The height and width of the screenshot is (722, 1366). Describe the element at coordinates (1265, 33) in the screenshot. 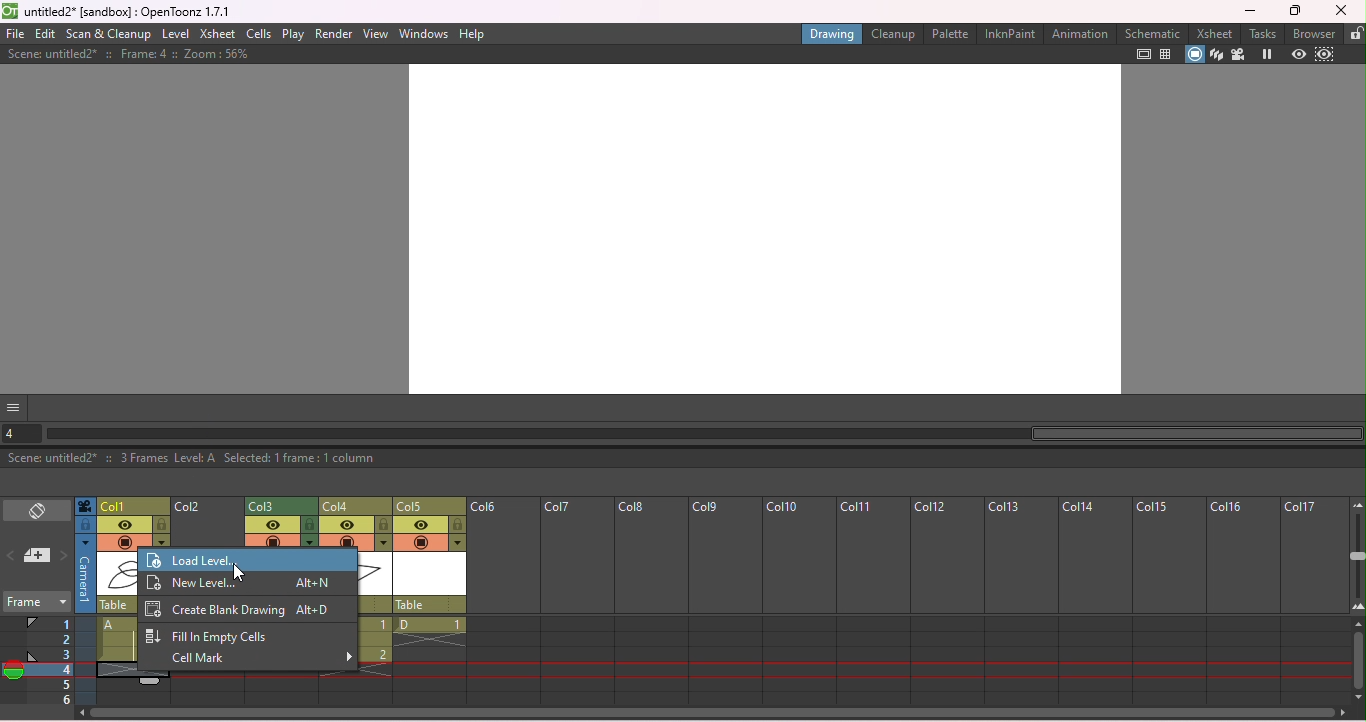

I see `tasks` at that location.